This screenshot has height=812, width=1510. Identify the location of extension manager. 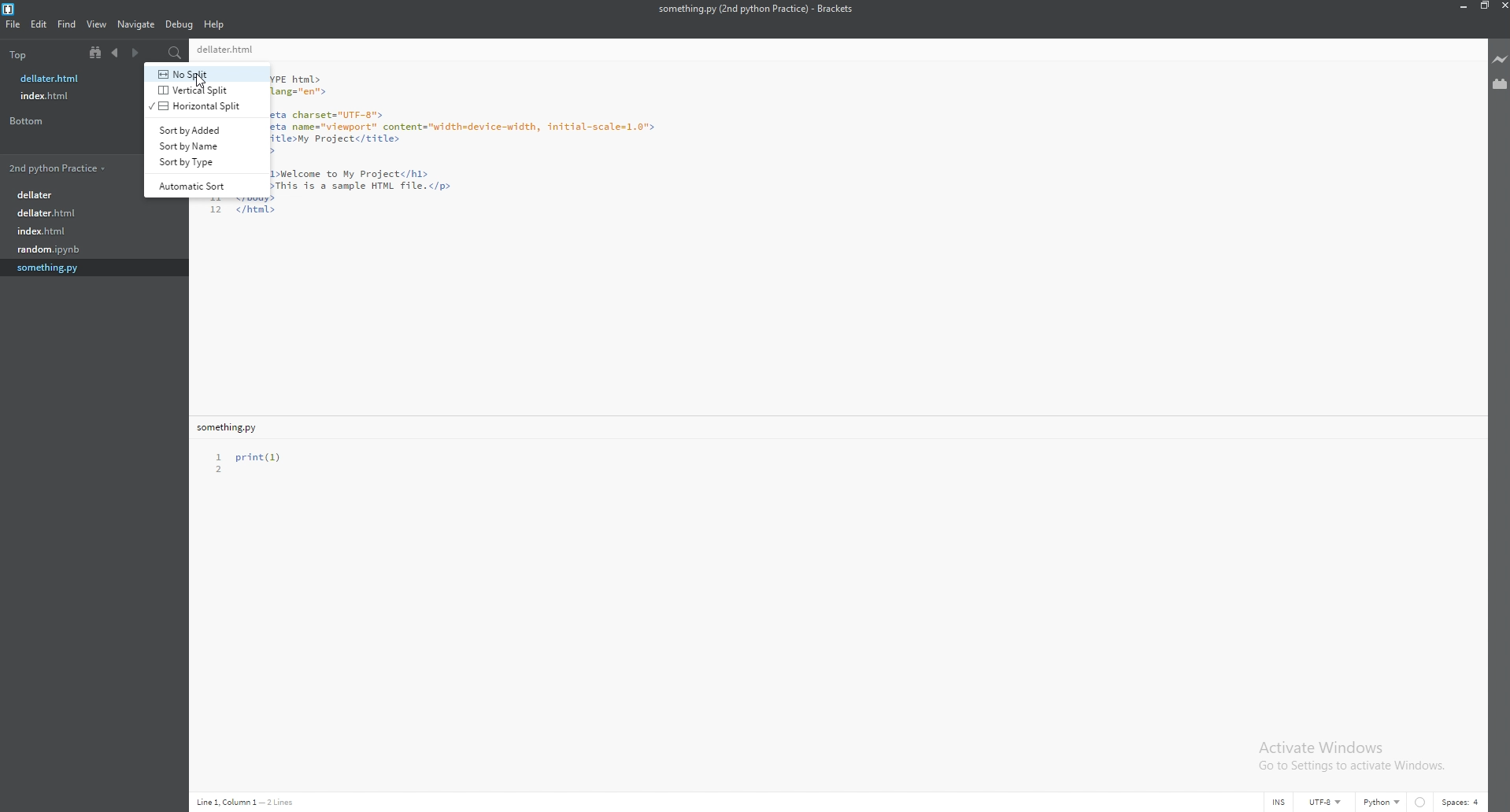
(1499, 84).